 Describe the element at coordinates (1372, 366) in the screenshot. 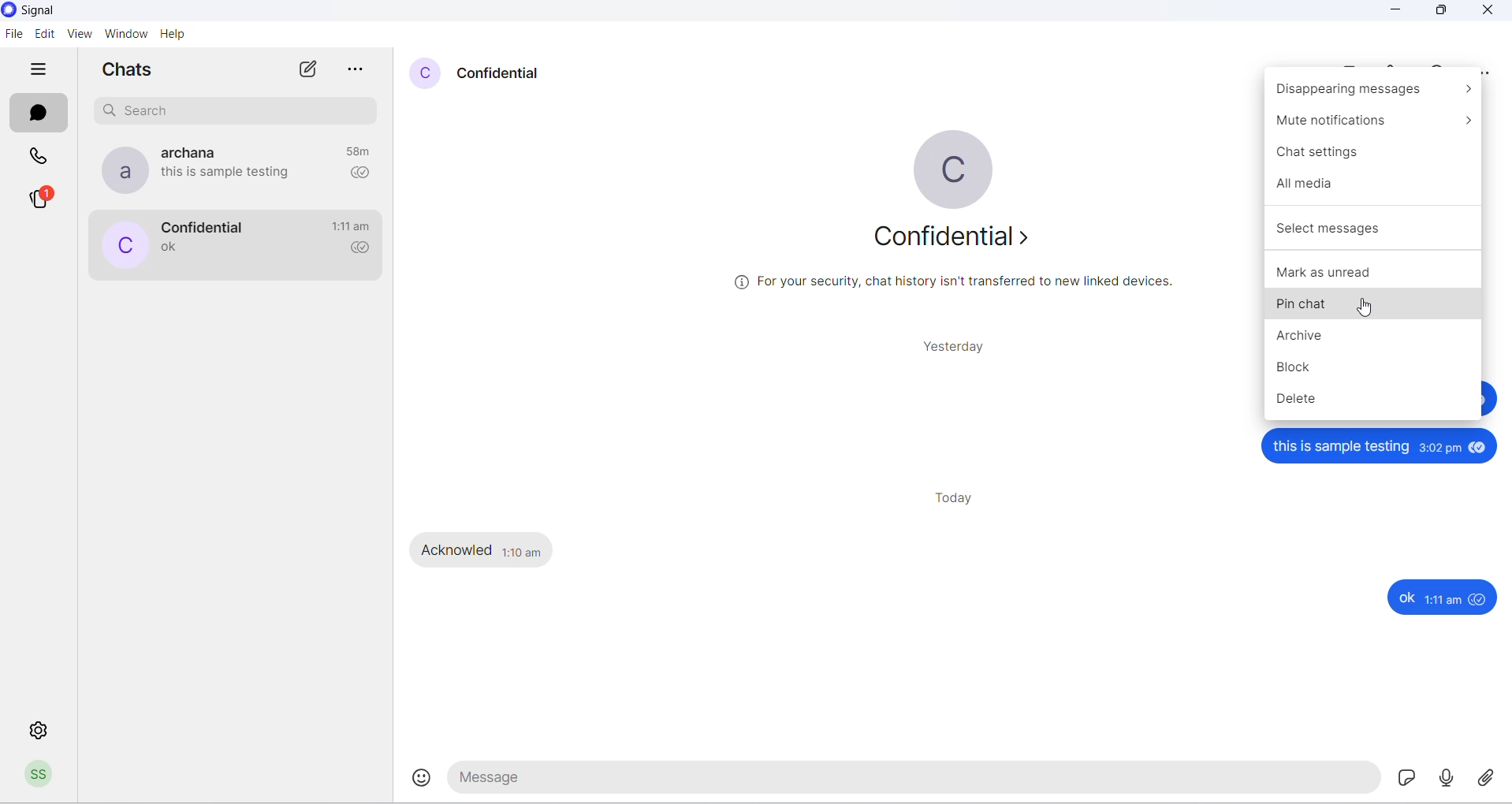

I see `block` at that location.